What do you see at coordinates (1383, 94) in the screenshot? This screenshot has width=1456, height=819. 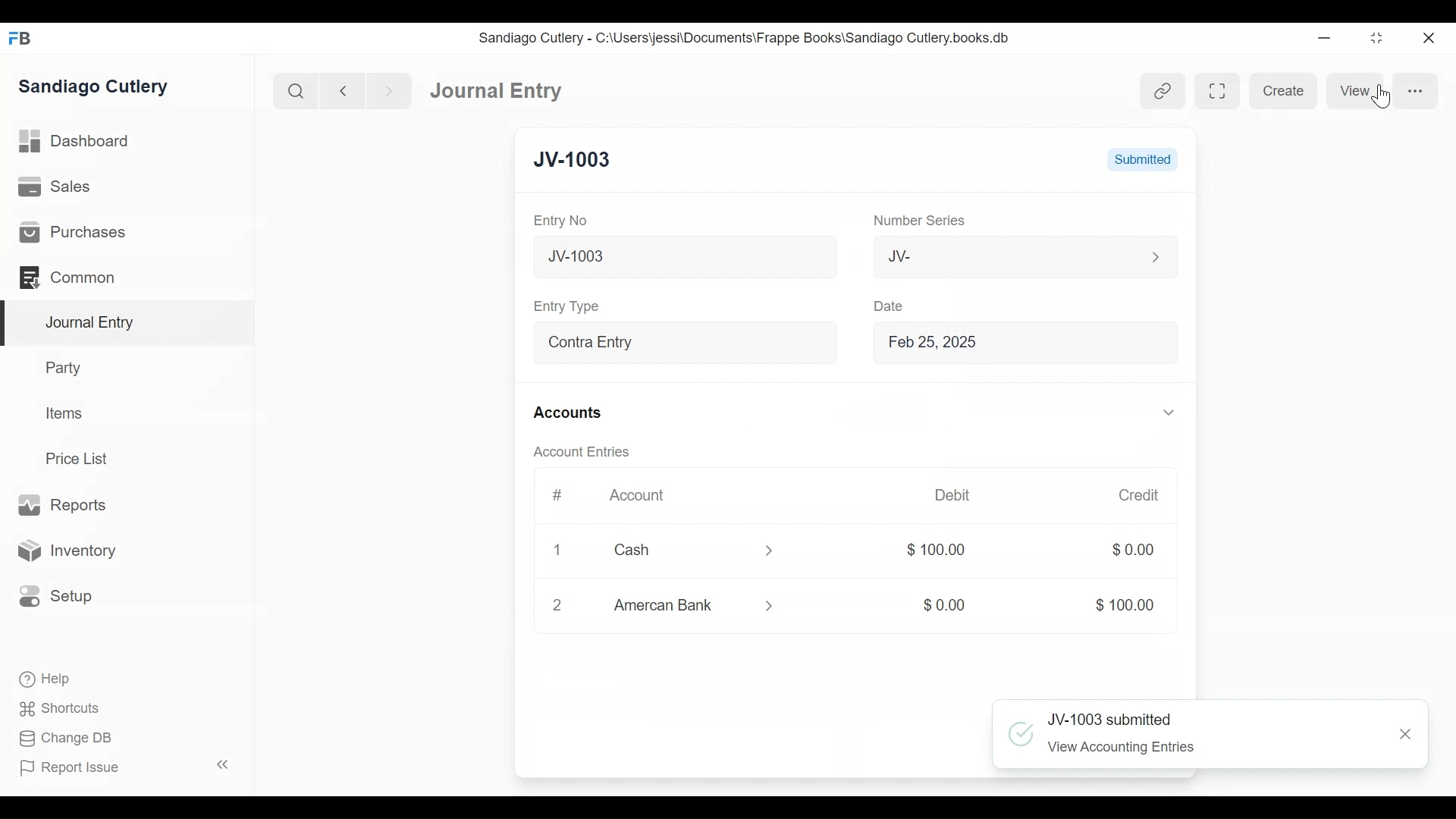 I see `Cursor` at bounding box center [1383, 94].